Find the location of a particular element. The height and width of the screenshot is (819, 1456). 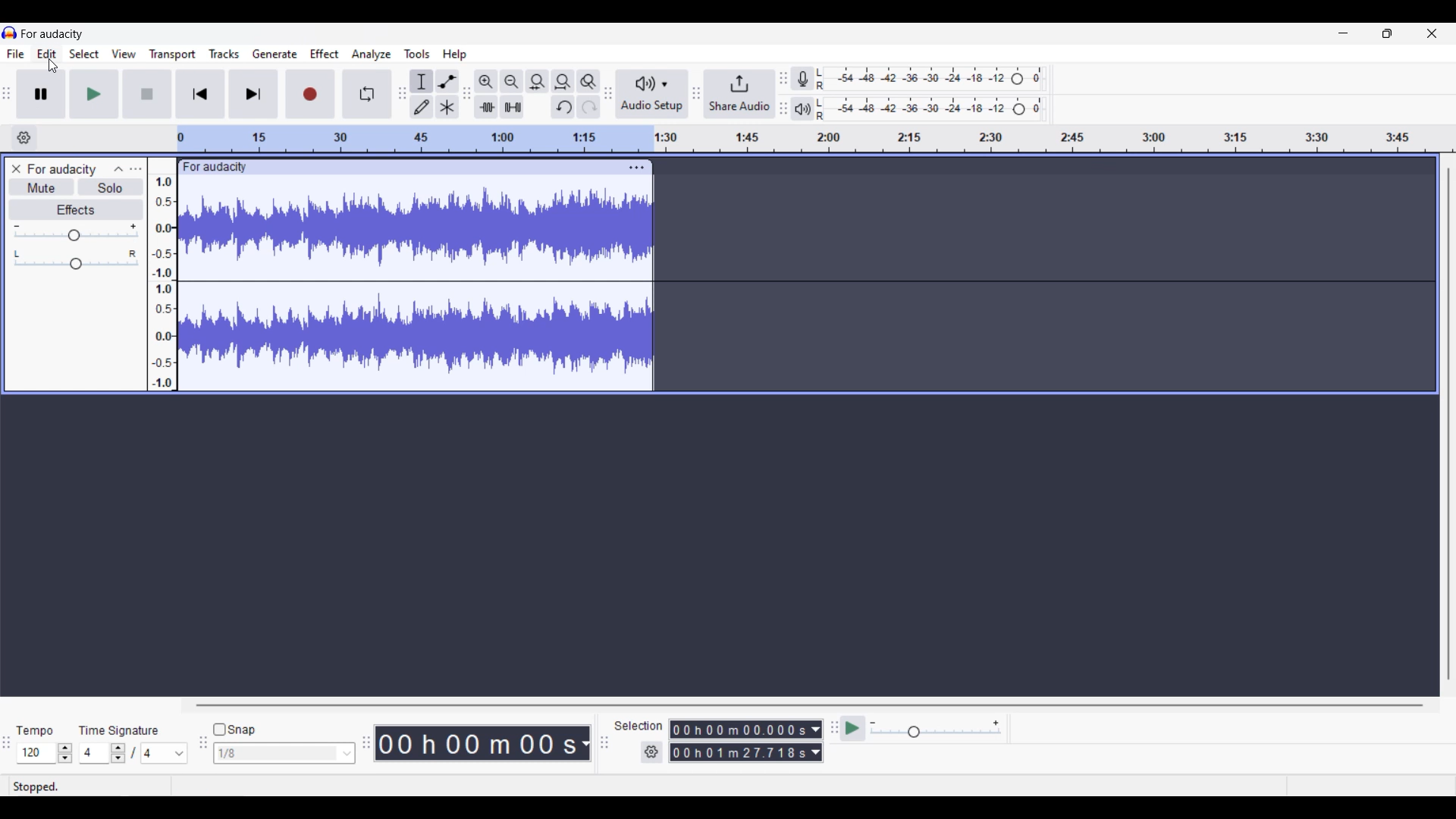

Track name is located at coordinates (62, 169).